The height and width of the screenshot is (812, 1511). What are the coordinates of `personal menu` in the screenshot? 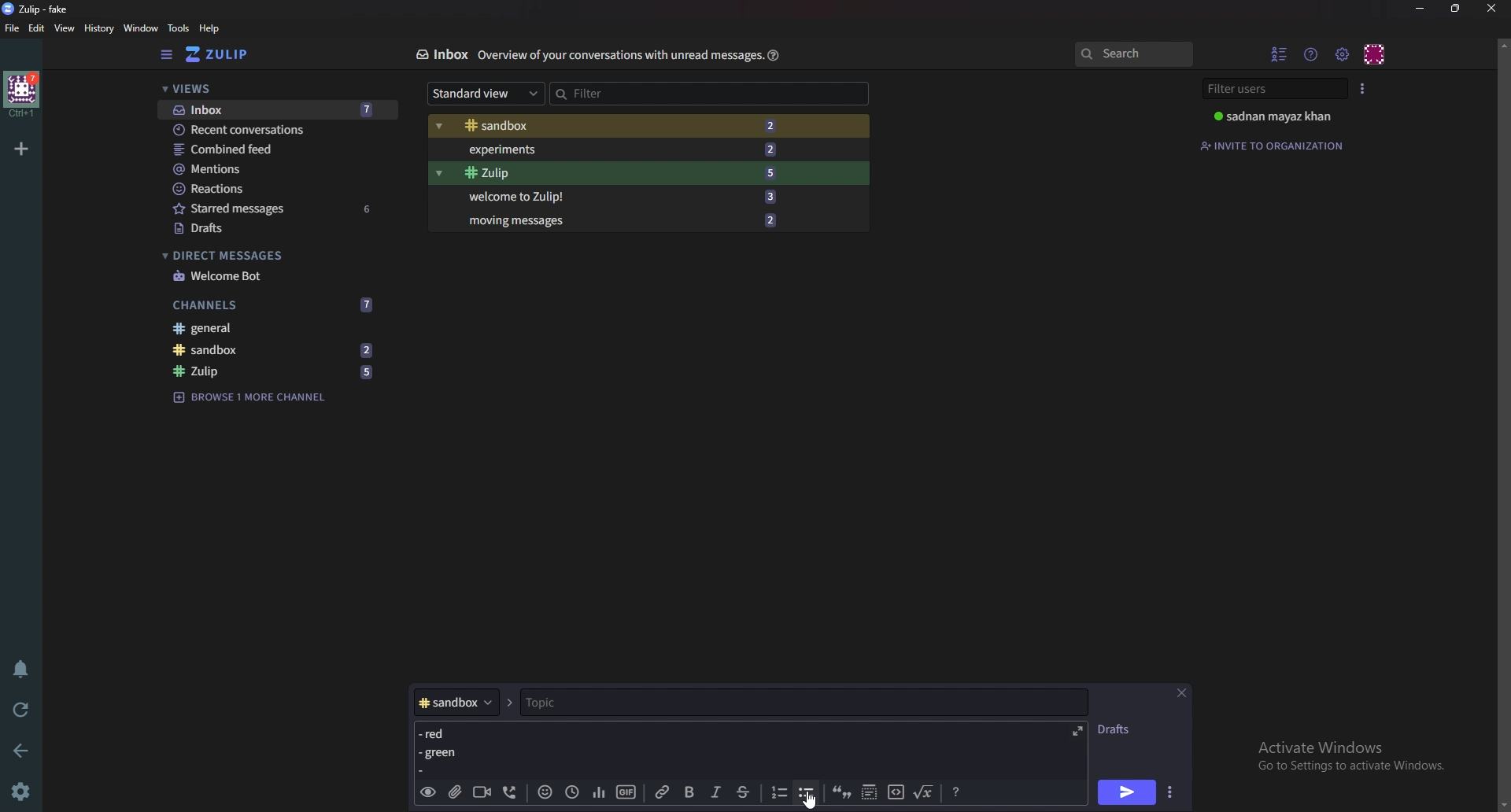 It's located at (1376, 54).